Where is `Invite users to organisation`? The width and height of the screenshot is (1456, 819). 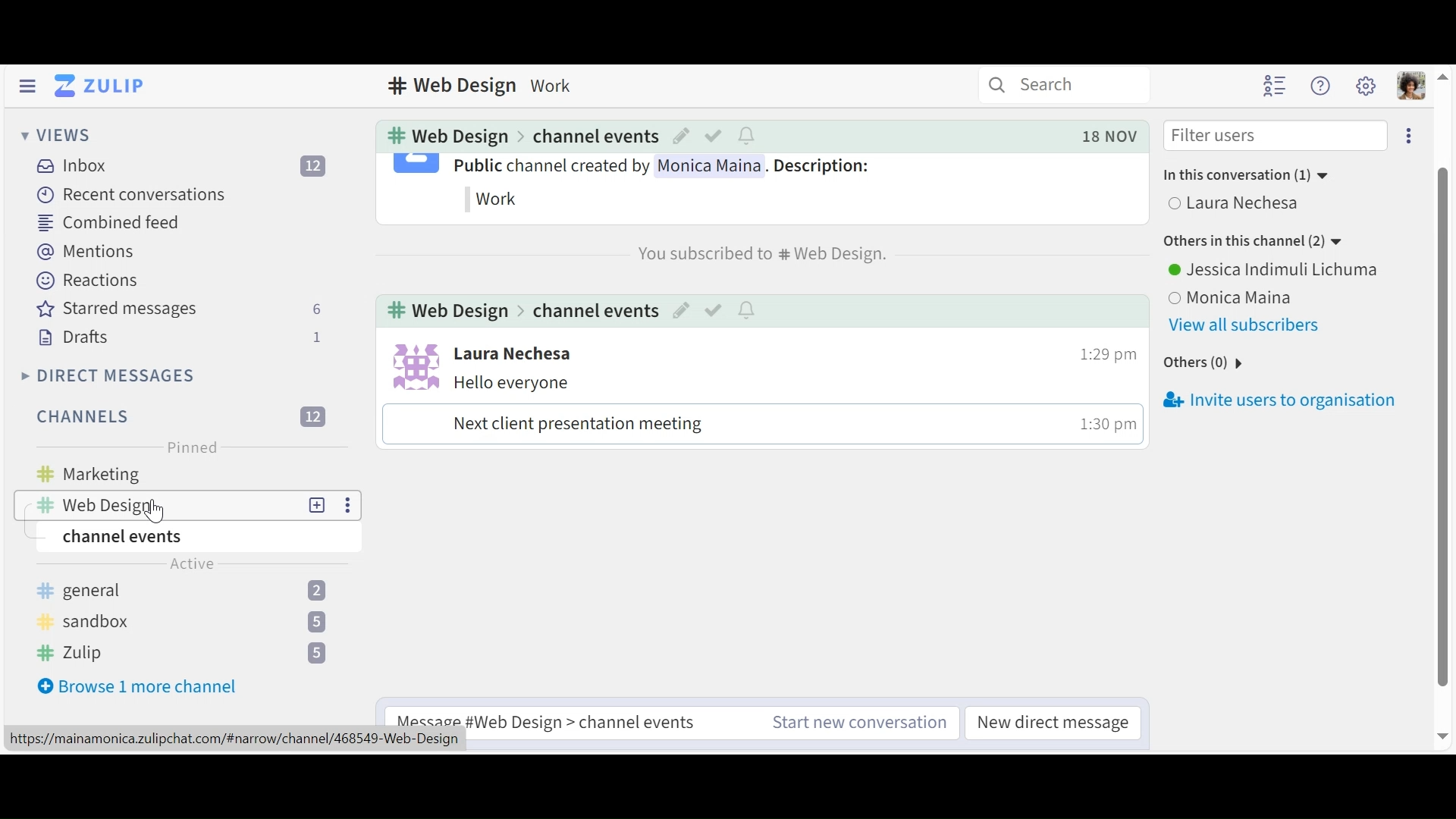
Invite users to organisation is located at coordinates (1278, 401).